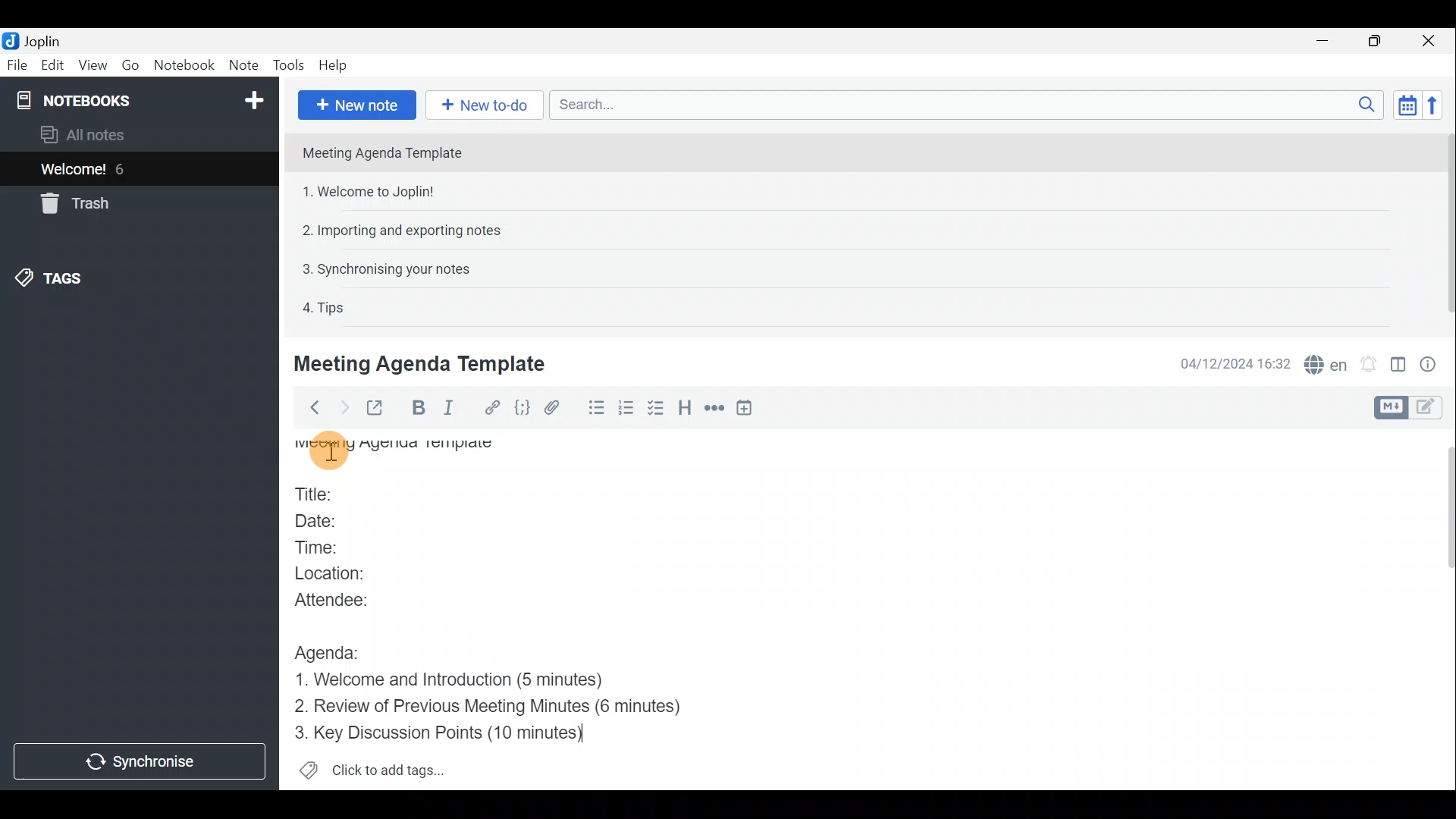 The height and width of the screenshot is (819, 1456). What do you see at coordinates (1228, 362) in the screenshot?
I see `04/12/2024 16:32` at bounding box center [1228, 362].